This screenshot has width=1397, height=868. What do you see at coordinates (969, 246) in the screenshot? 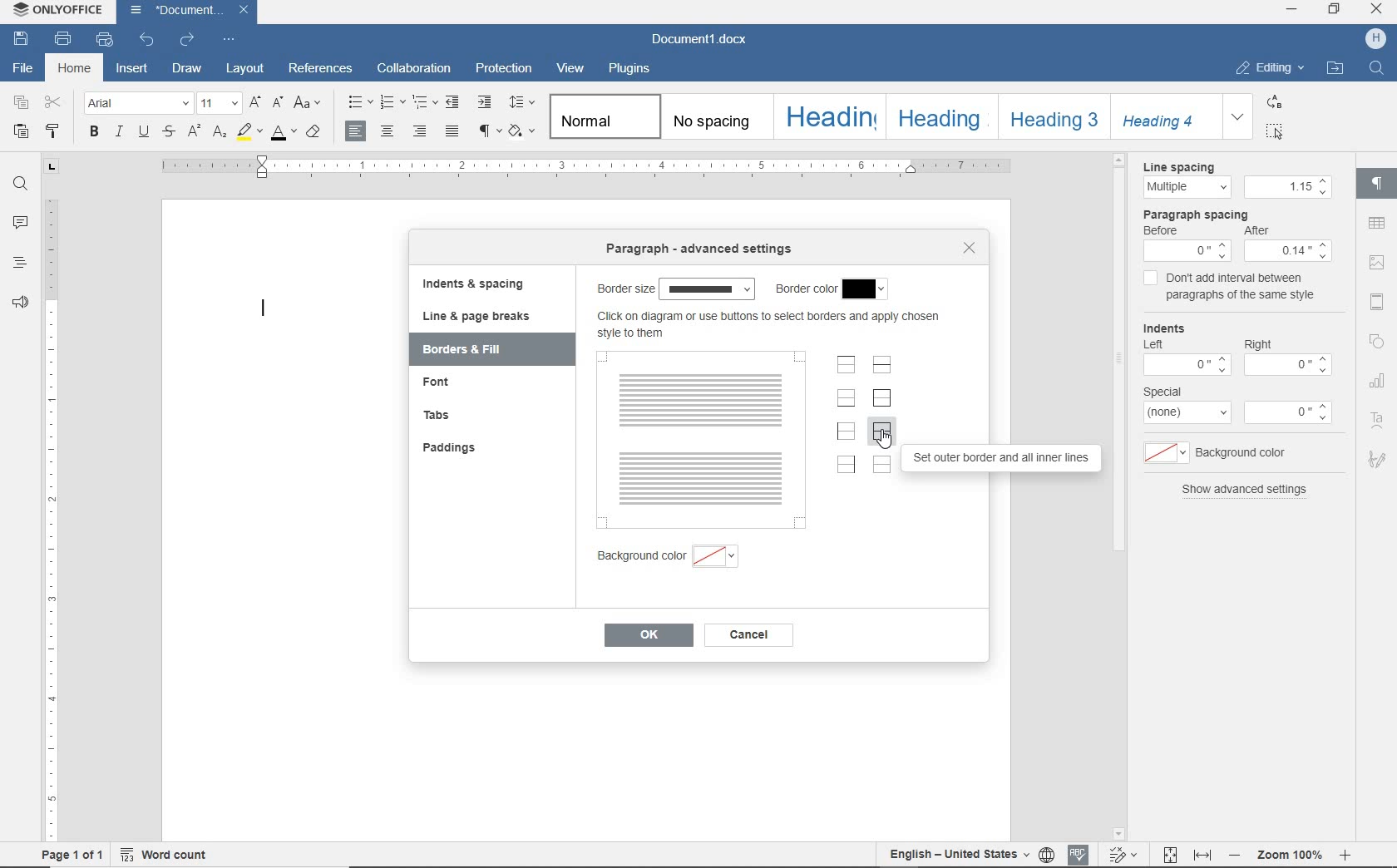
I see `close` at bounding box center [969, 246].